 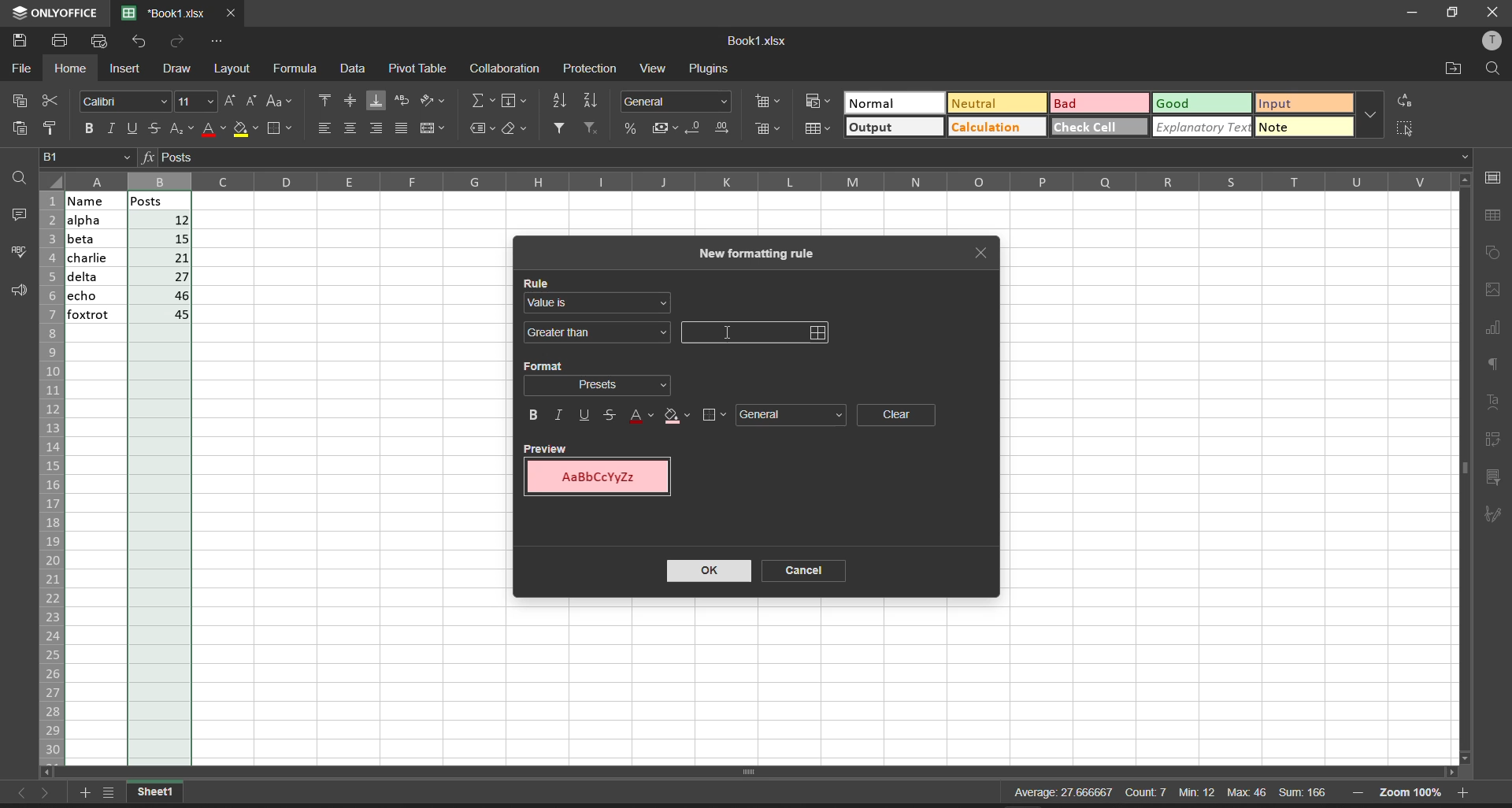 I want to click on font color, so click(x=211, y=131).